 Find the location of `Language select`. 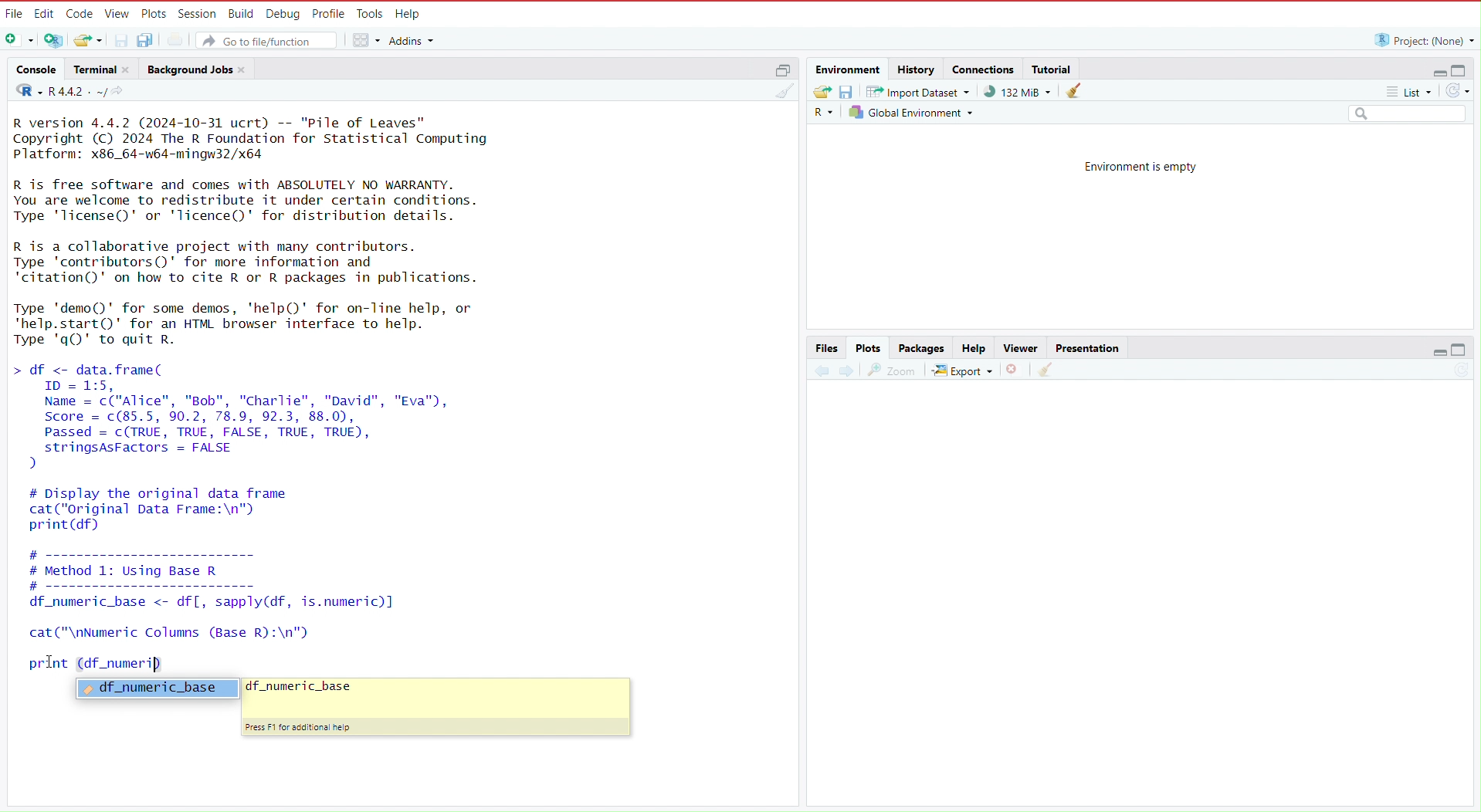

Language select is located at coordinates (822, 112).